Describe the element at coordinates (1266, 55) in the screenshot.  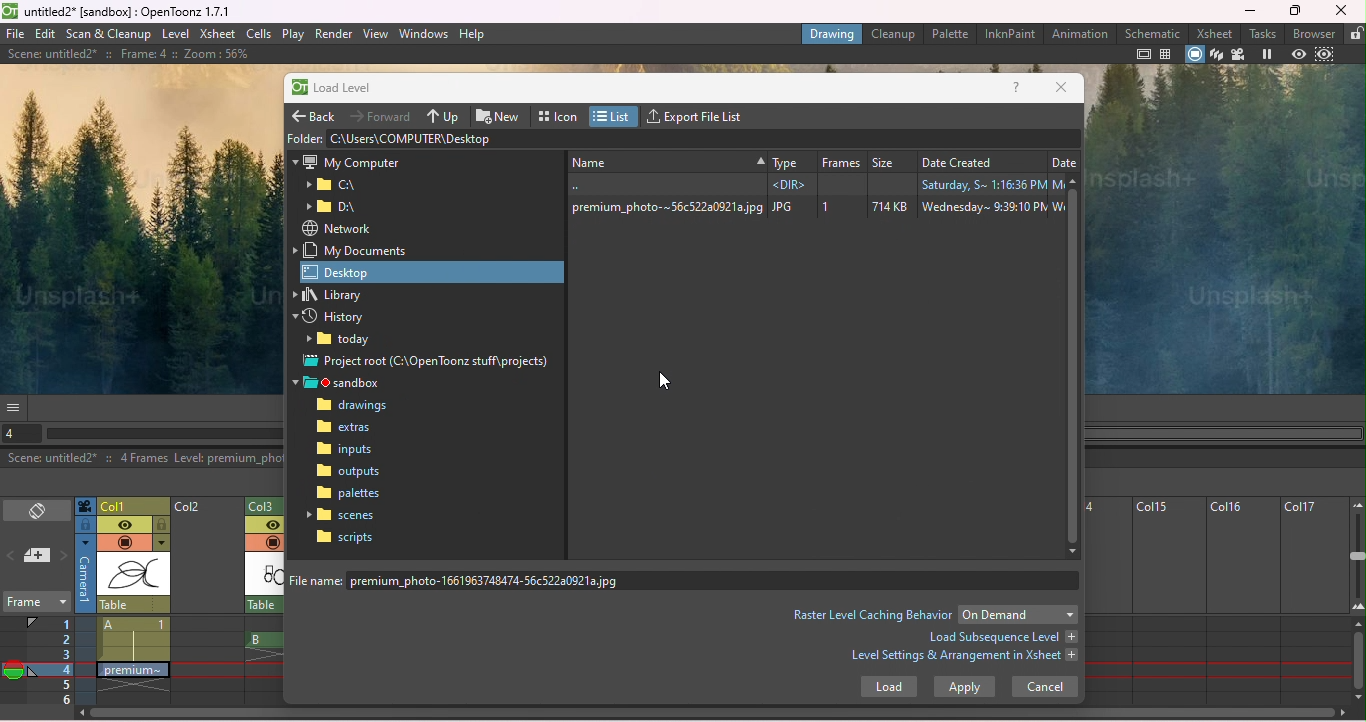
I see `Freeze` at that location.